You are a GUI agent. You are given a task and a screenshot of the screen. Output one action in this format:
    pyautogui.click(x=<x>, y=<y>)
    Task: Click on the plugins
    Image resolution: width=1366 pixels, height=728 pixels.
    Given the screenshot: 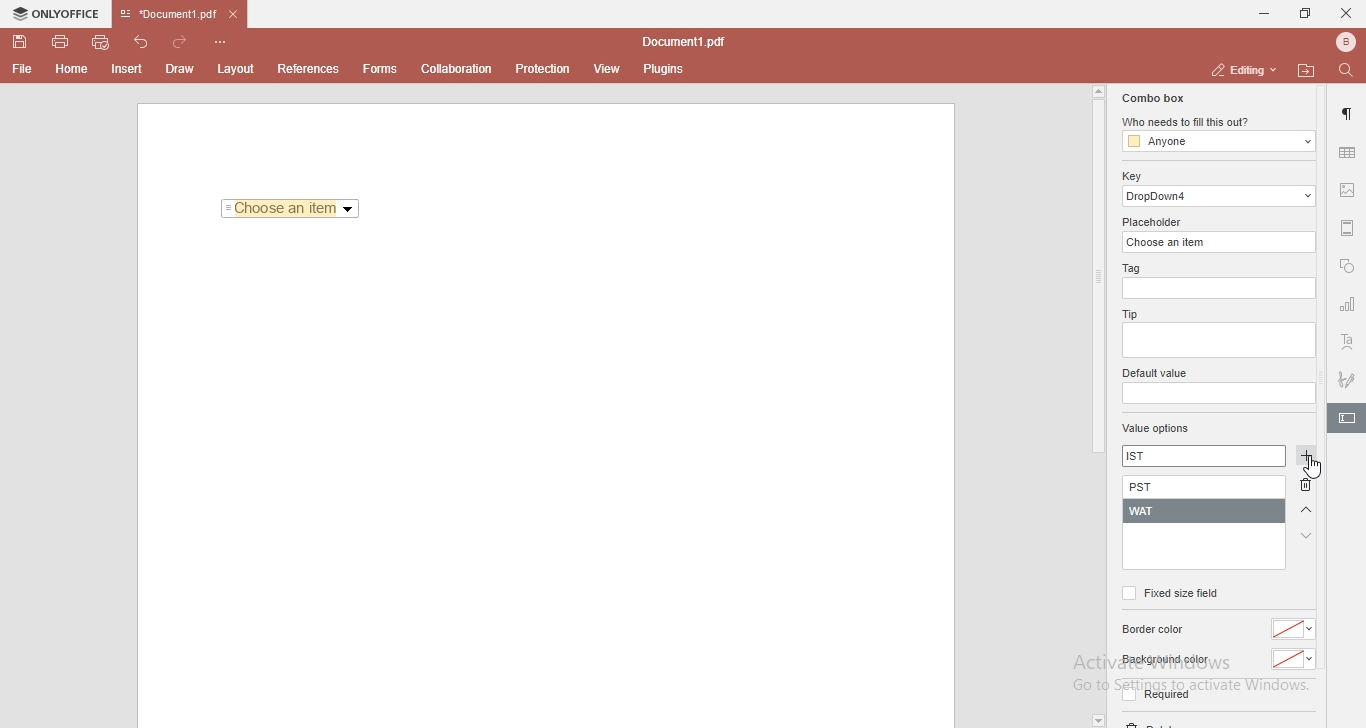 What is the action you would take?
    pyautogui.click(x=664, y=70)
    